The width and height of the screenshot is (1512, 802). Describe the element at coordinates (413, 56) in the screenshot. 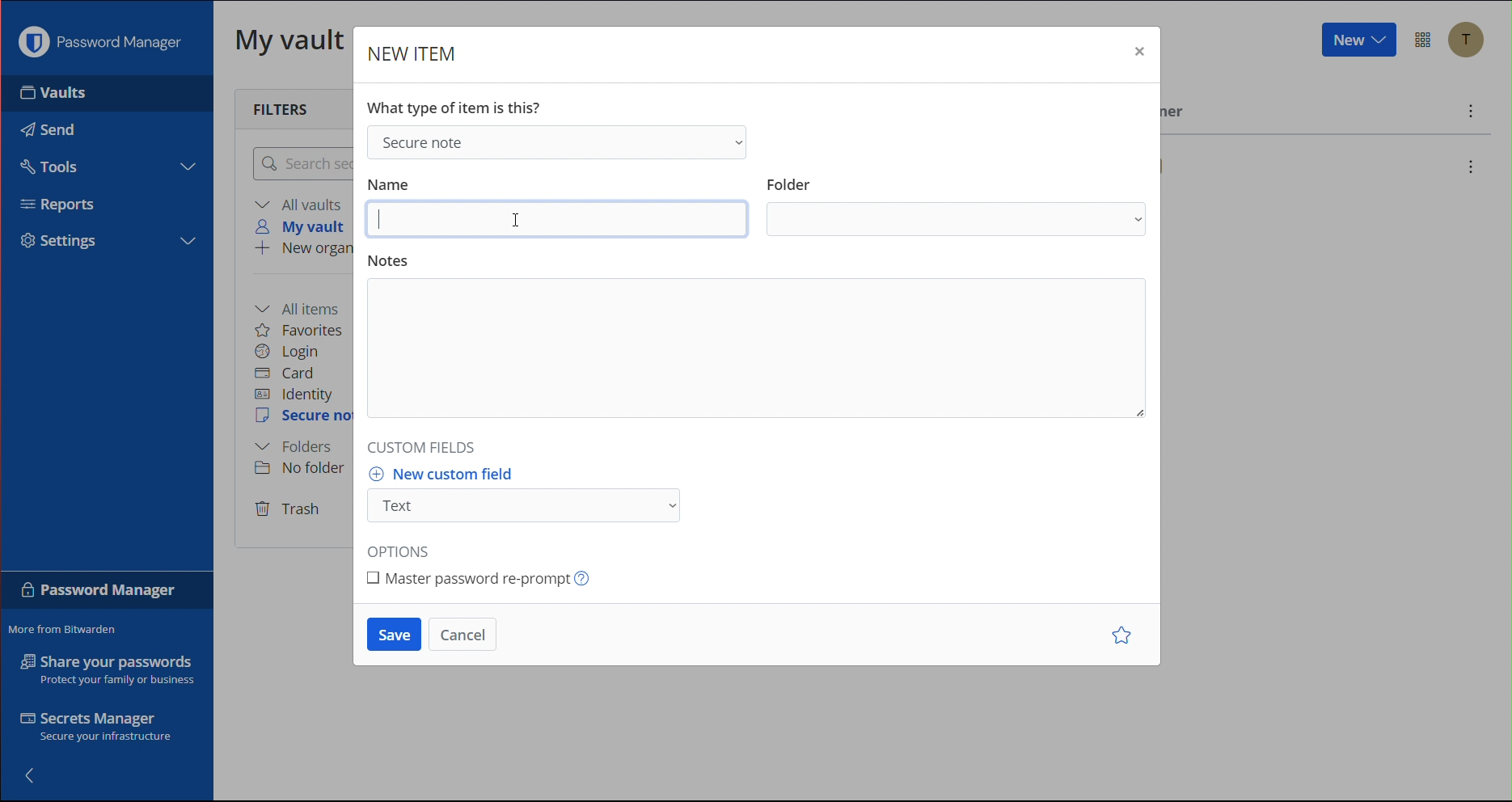

I see `New Item` at that location.